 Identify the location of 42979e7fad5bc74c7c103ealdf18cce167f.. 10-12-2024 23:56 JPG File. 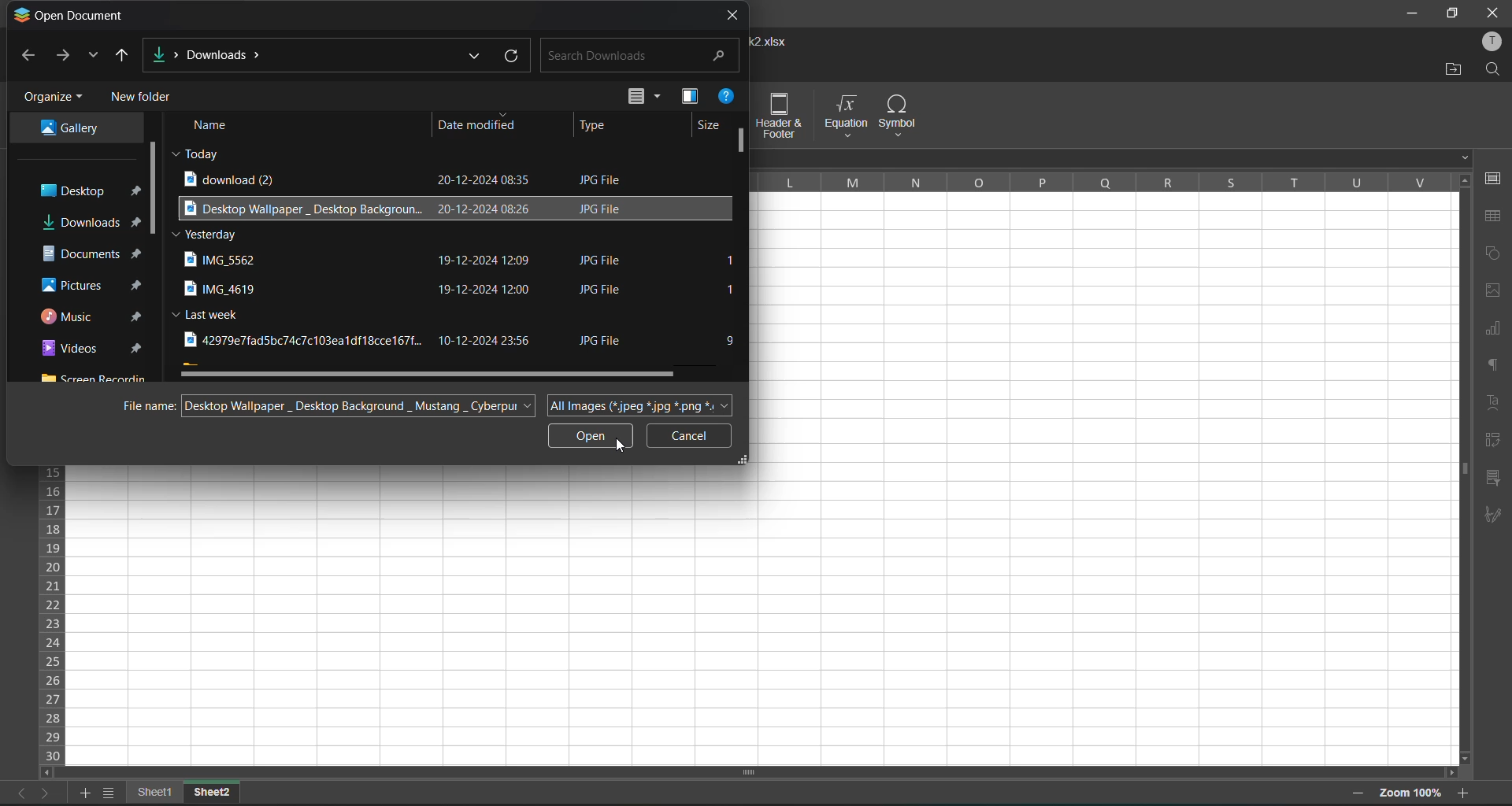
(413, 339).